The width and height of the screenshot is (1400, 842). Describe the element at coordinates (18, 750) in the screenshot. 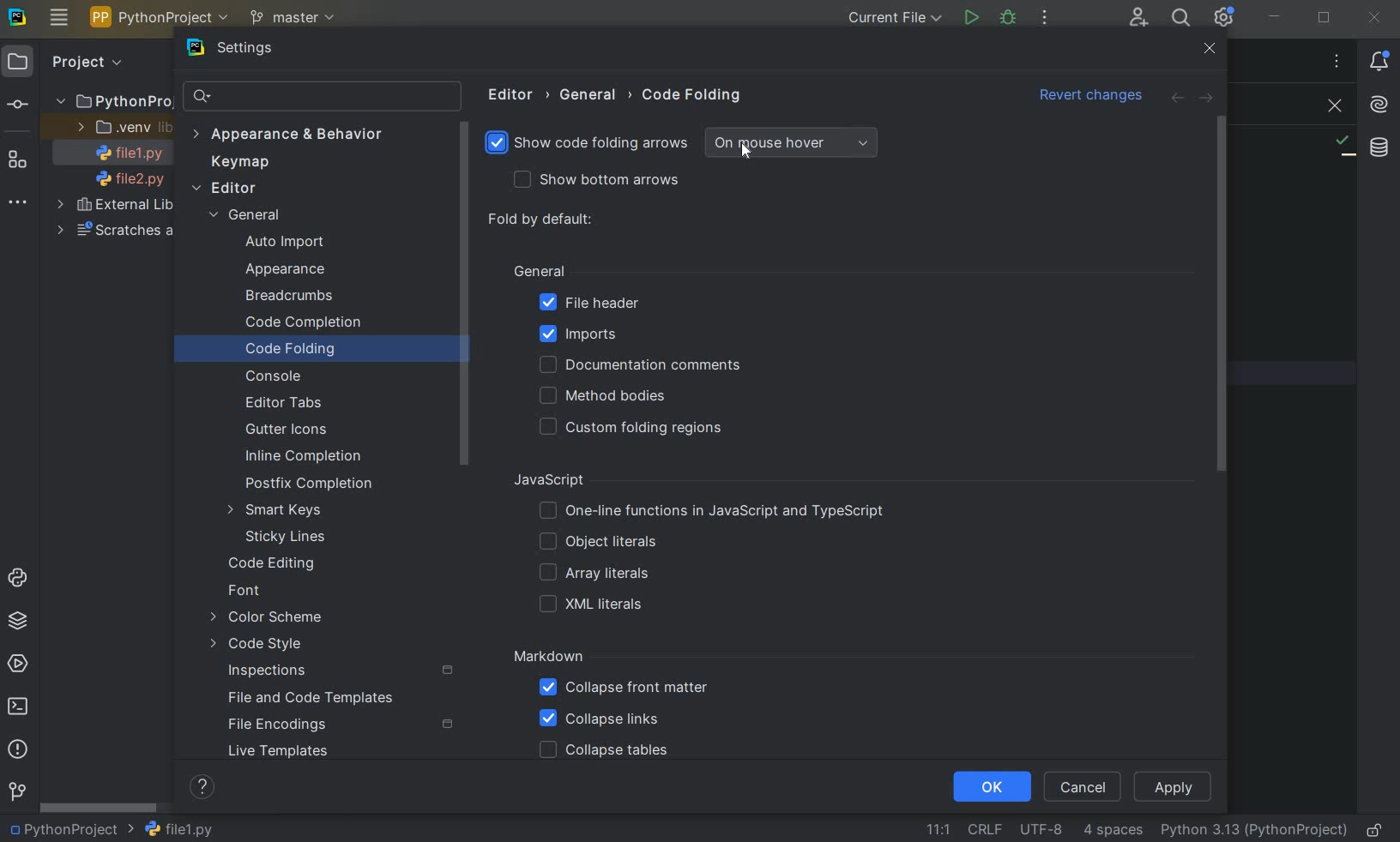

I see `PROBLEMS` at that location.